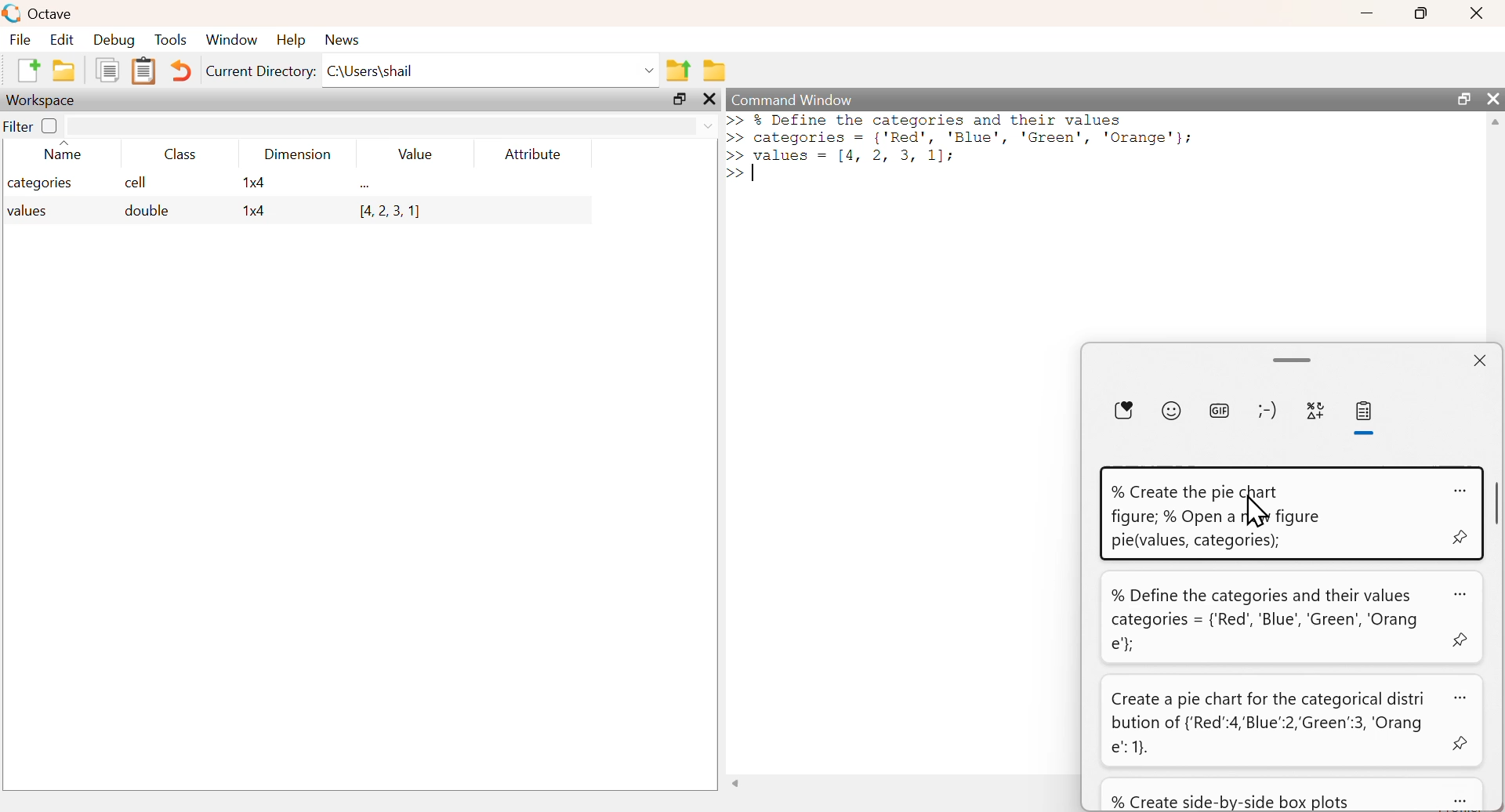 This screenshot has height=812, width=1505. What do you see at coordinates (136, 181) in the screenshot?
I see `cell` at bounding box center [136, 181].